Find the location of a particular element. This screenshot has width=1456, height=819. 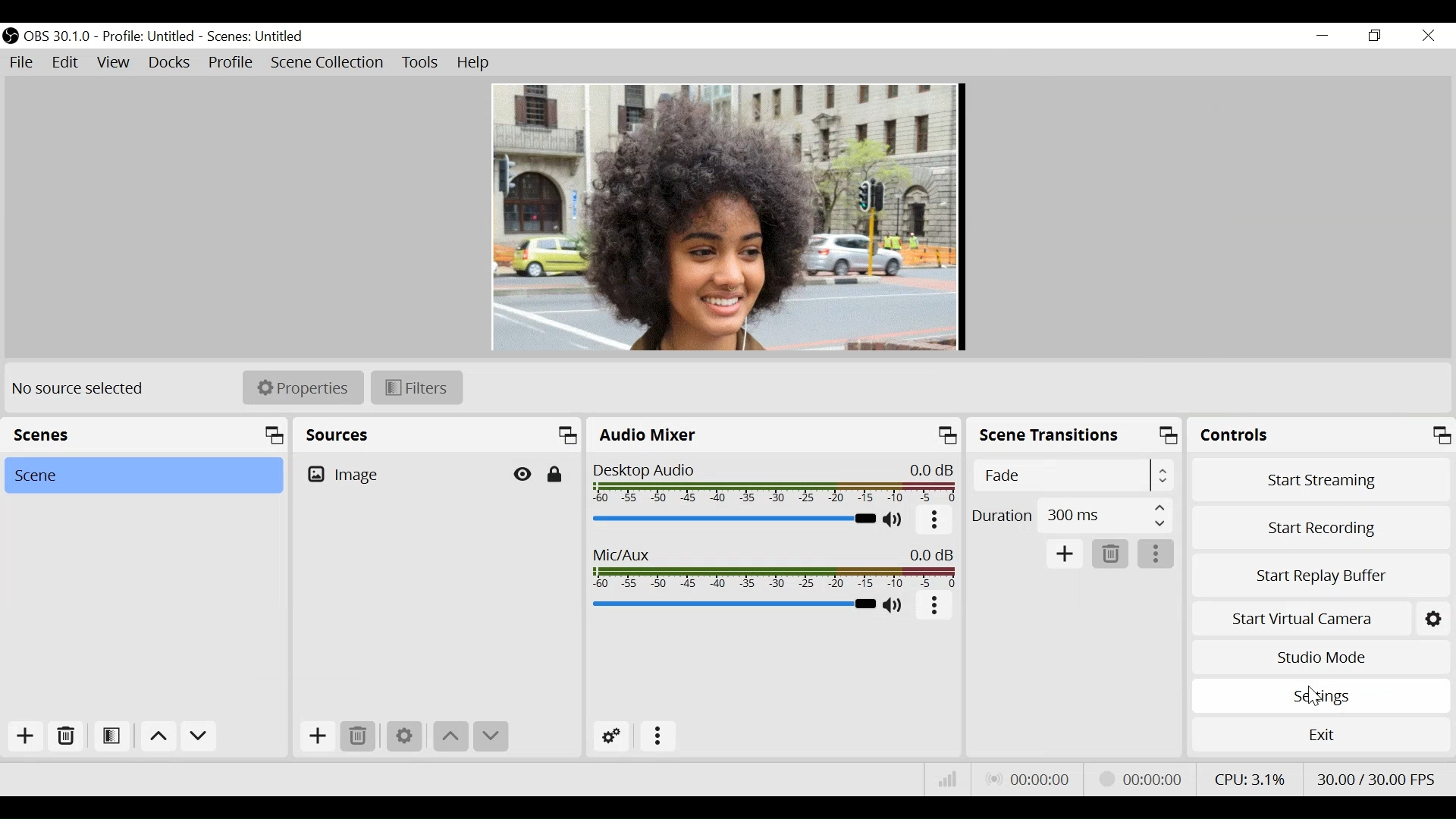

OBS Version is located at coordinates (60, 37).